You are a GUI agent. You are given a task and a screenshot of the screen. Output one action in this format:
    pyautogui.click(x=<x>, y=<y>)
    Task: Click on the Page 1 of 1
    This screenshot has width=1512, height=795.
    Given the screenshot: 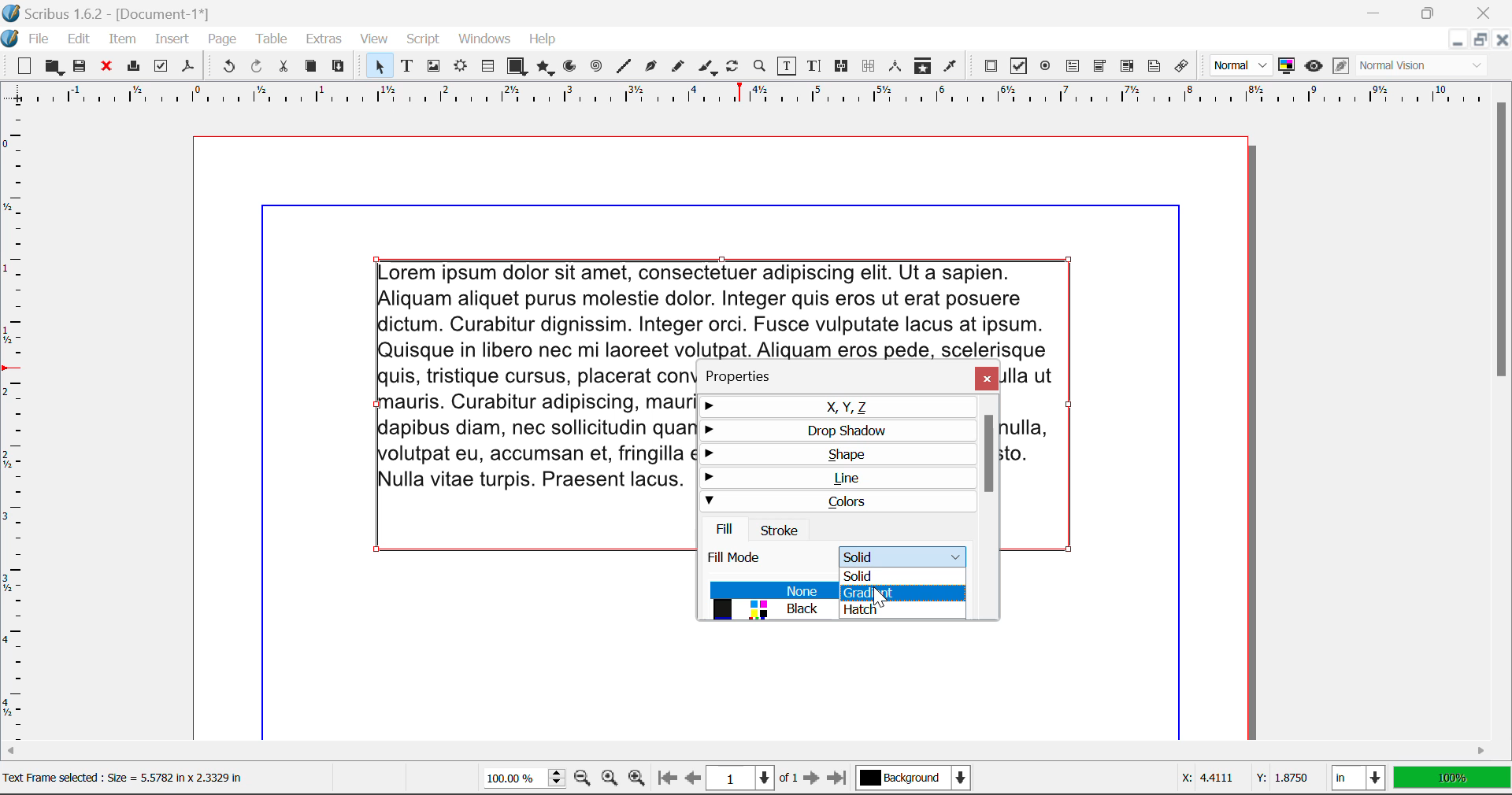 What is the action you would take?
    pyautogui.click(x=752, y=780)
    